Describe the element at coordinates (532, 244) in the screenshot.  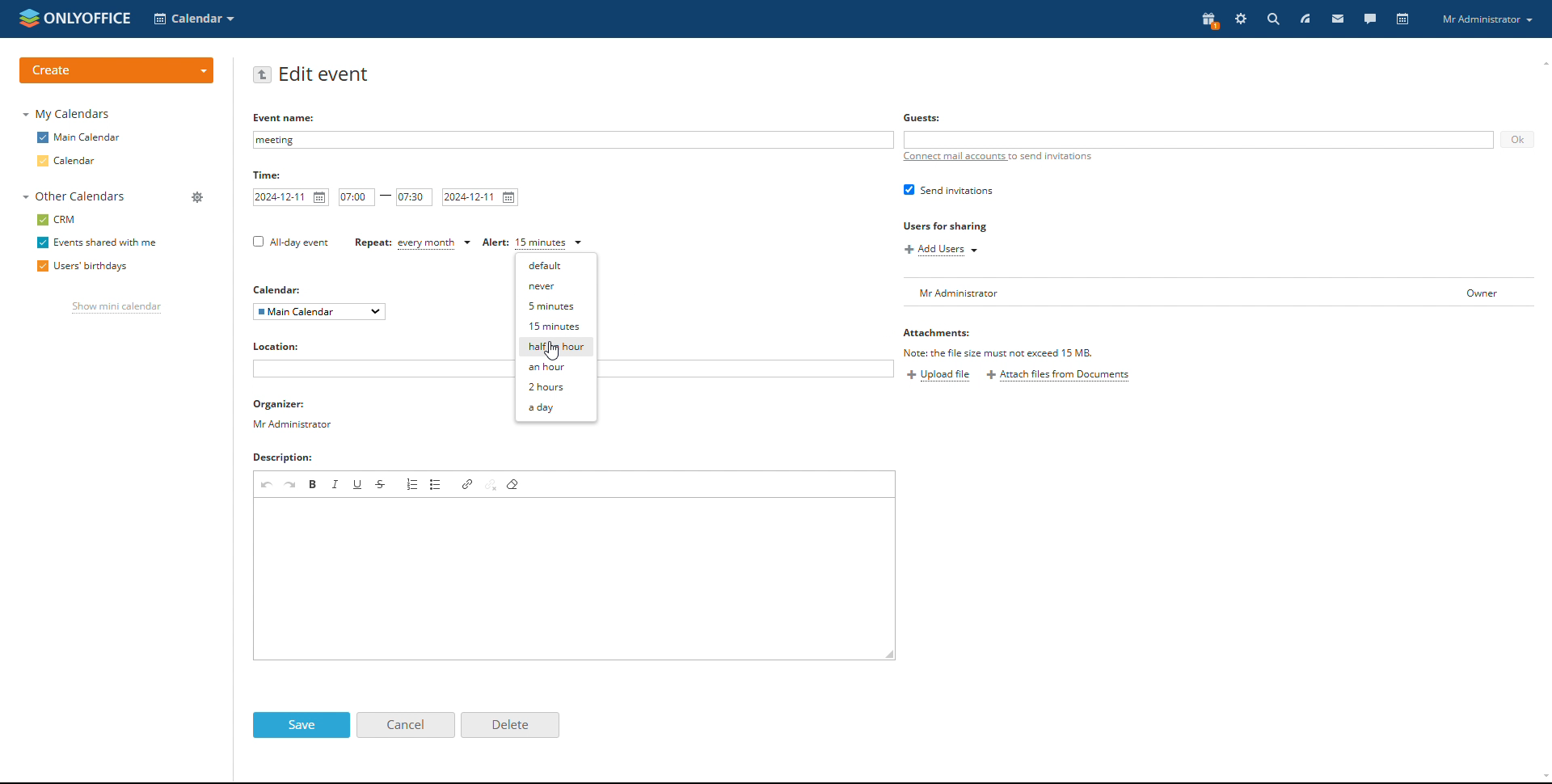
I see `set alert` at that location.